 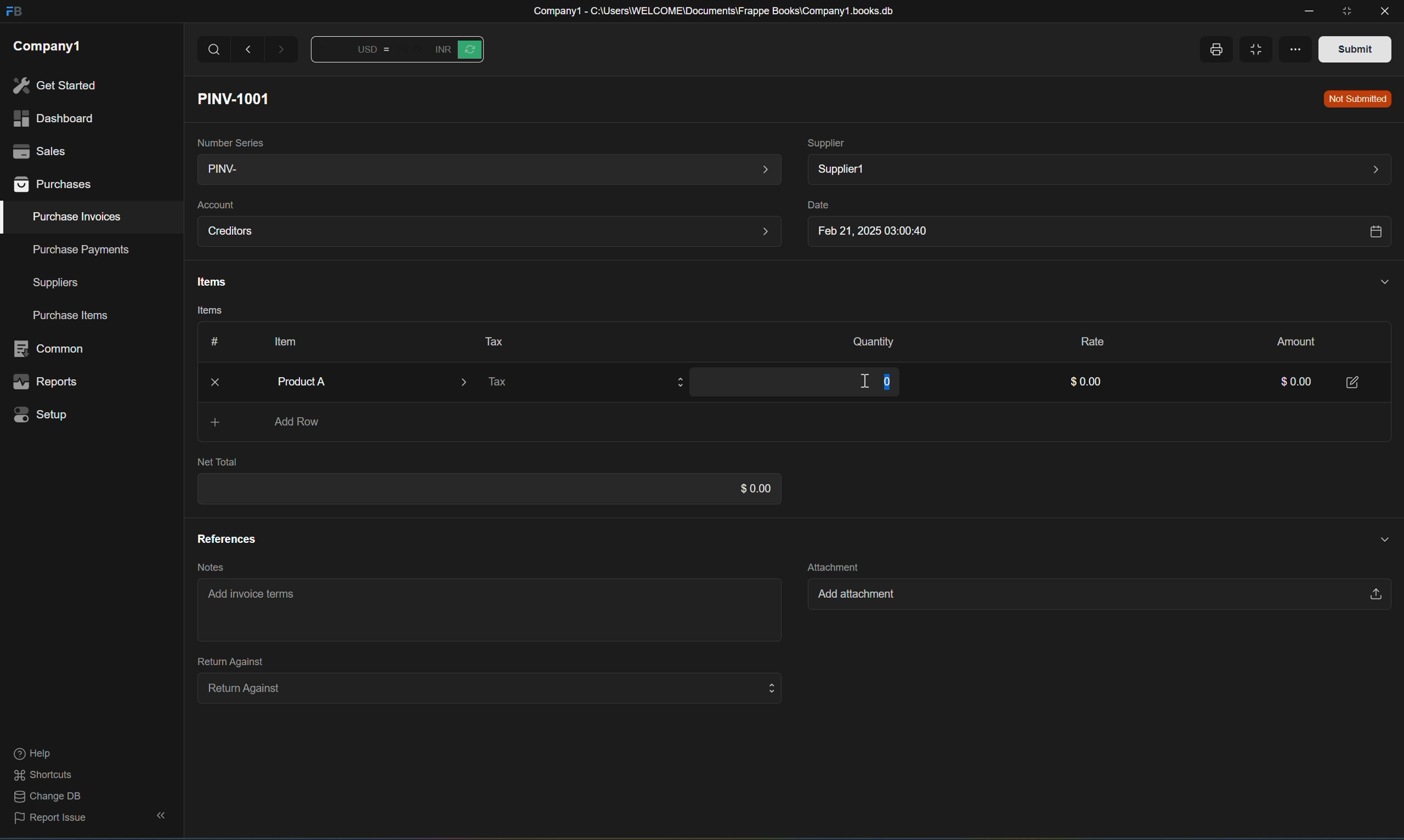 I want to click on Print, so click(x=1217, y=49).